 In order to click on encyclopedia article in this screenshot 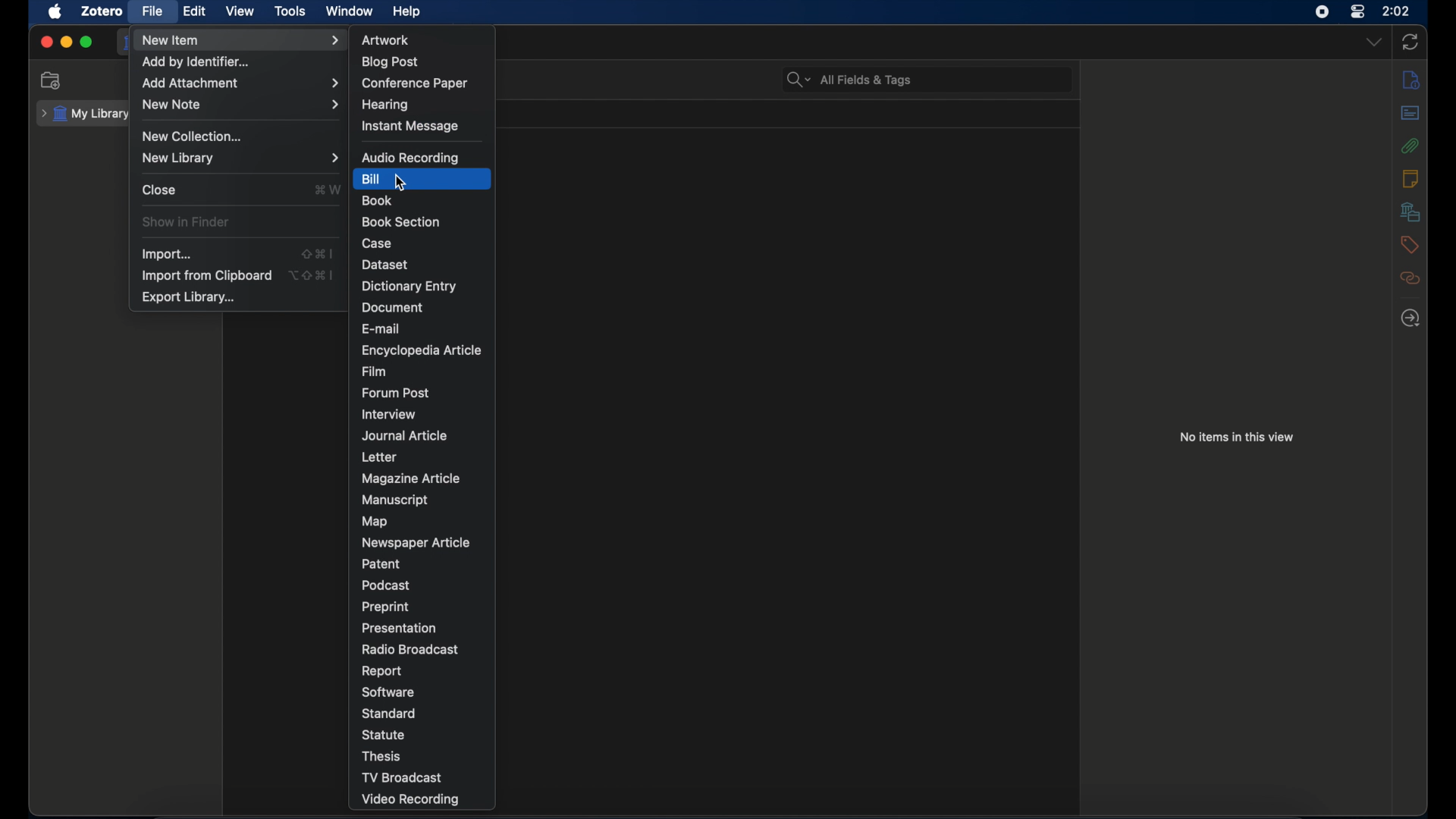, I will do `click(422, 350)`.